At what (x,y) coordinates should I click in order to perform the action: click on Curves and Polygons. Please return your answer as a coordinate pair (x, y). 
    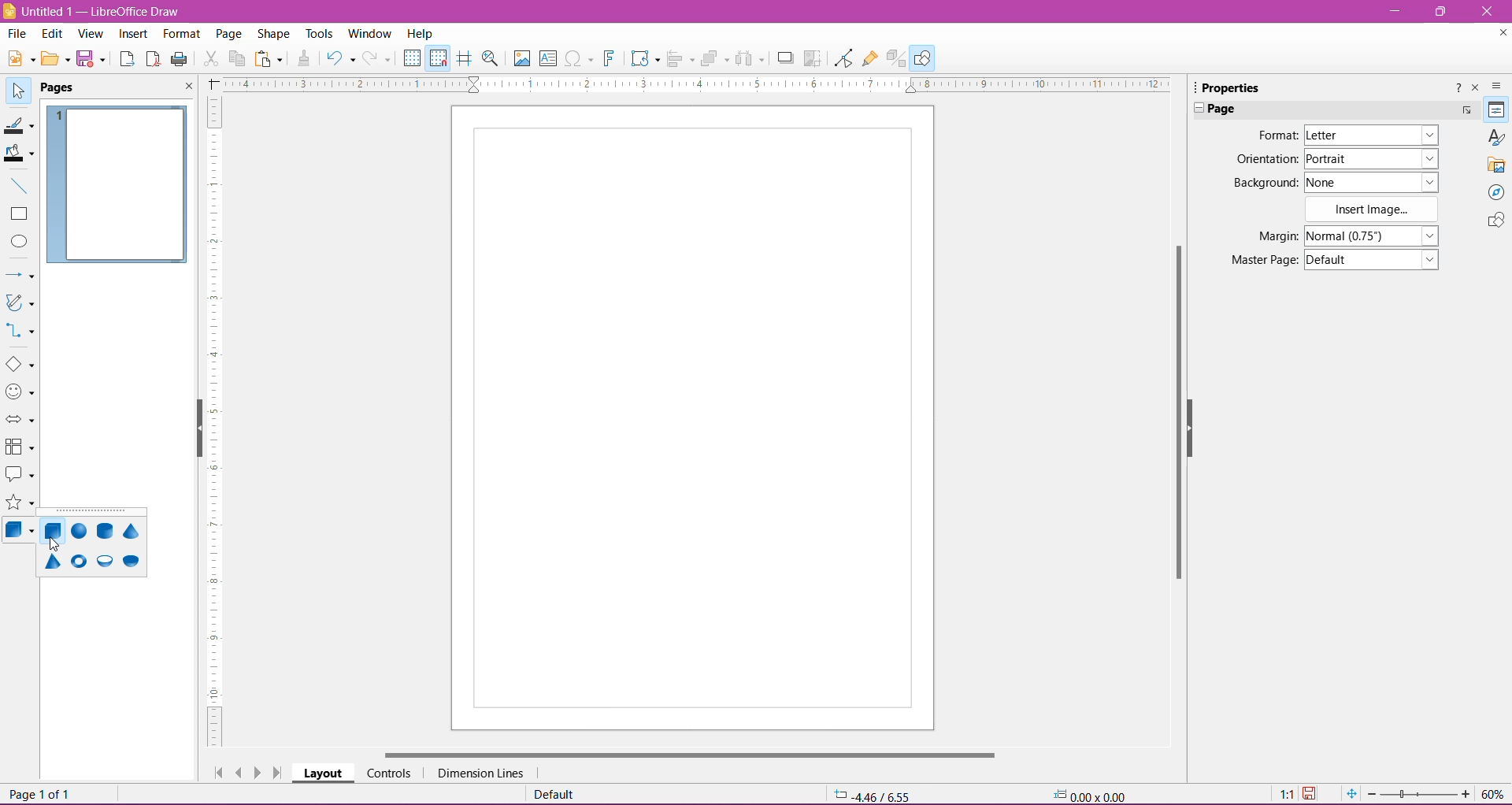
    Looking at the image, I should click on (20, 304).